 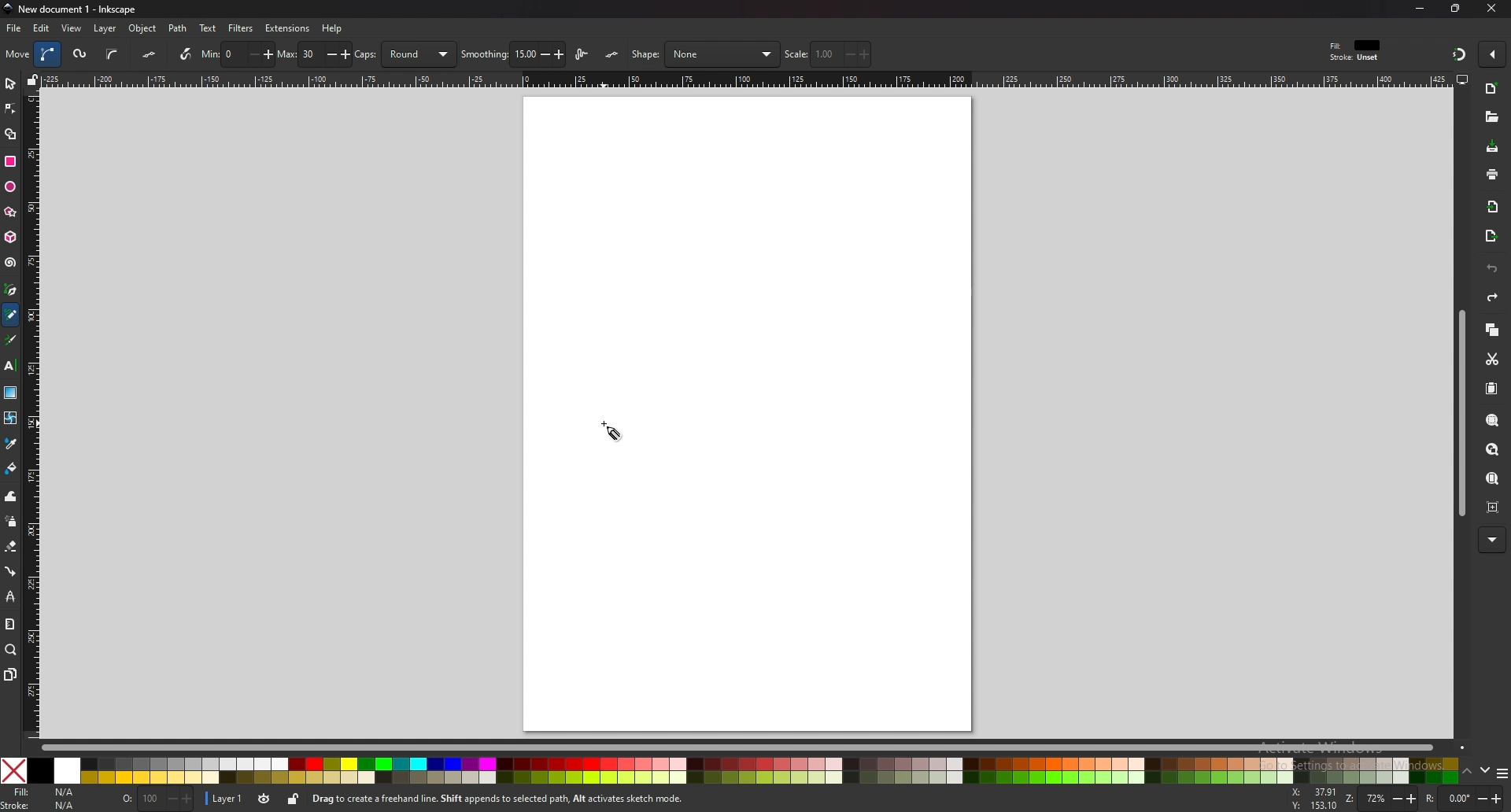 What do you see at coordinates (11, 443) in the screenshot?
I see `color picker` at bounding box center [11, 443].